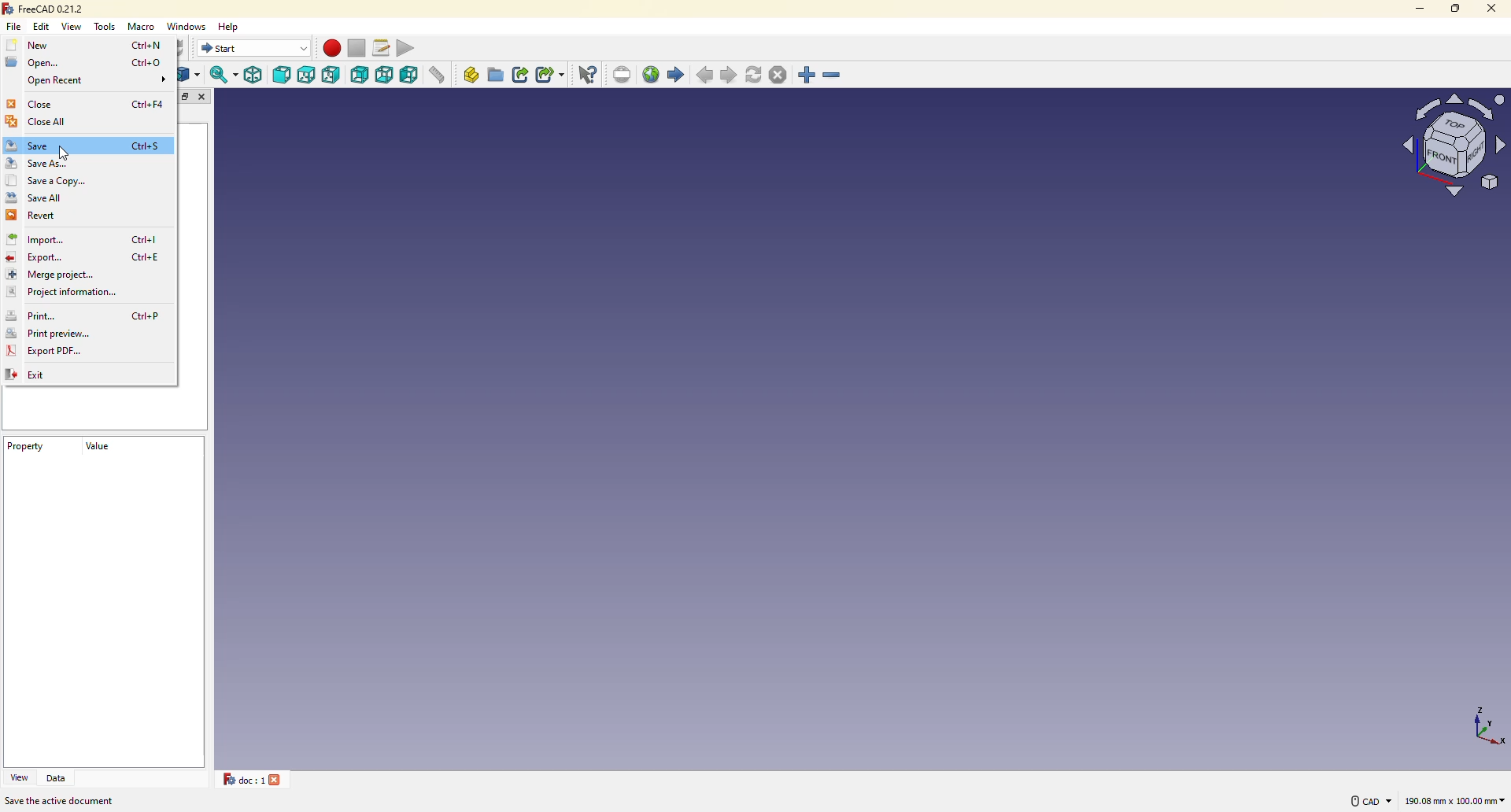 The width and height of the screenshot is (1511, 812). What do you see at coordinates (833, 76) in the screenshot?
I see `zoom out` at bounding box center [833, 76].